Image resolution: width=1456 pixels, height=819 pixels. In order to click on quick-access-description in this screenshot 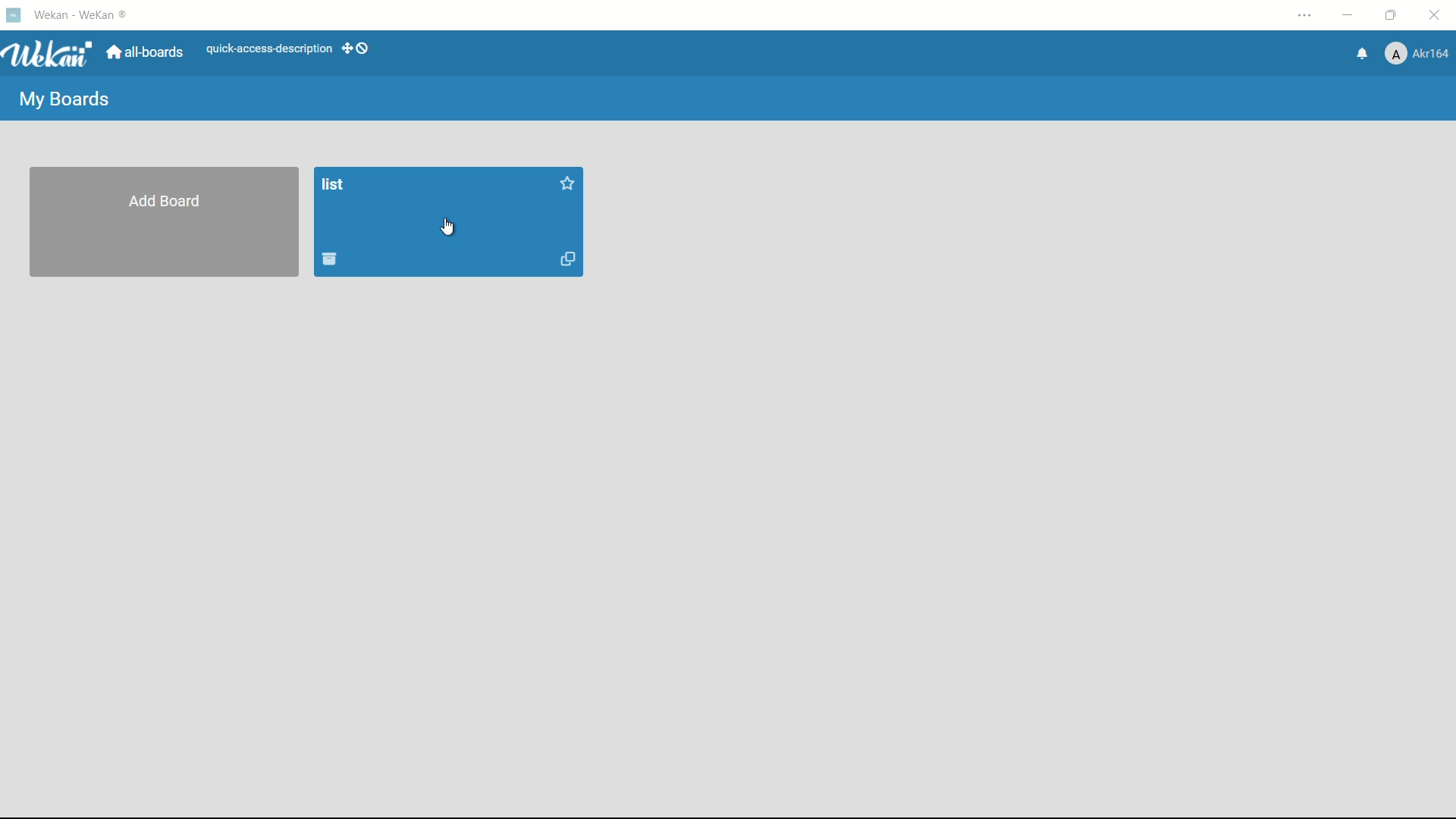, I will do `click(271, 49)`.